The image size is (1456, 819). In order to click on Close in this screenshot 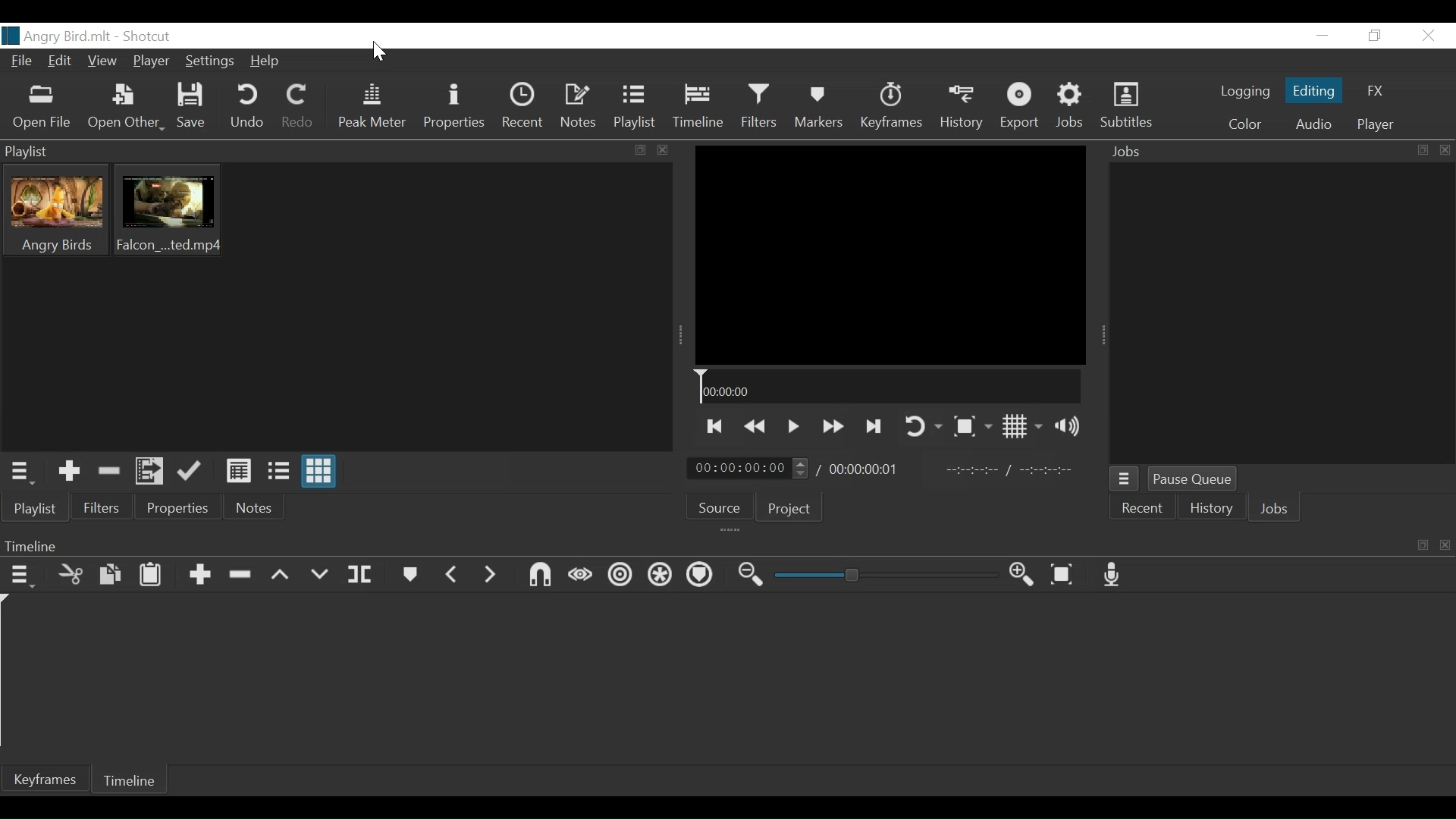, I will do `click(1430, 36)`.